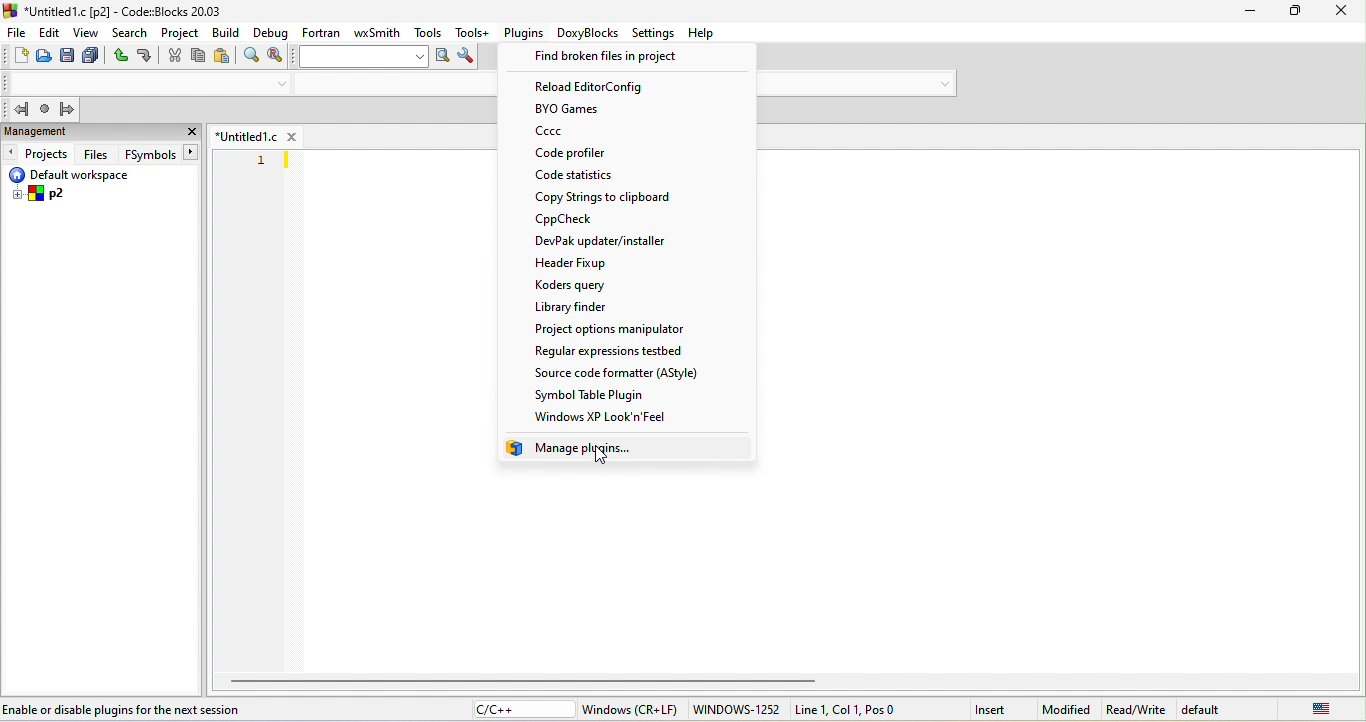 This screenshot has height=722, width=1366. What do you see at coordinates (1250, 14) in the screenshot?
I see `minimize` at bounding box center [1250, 14].